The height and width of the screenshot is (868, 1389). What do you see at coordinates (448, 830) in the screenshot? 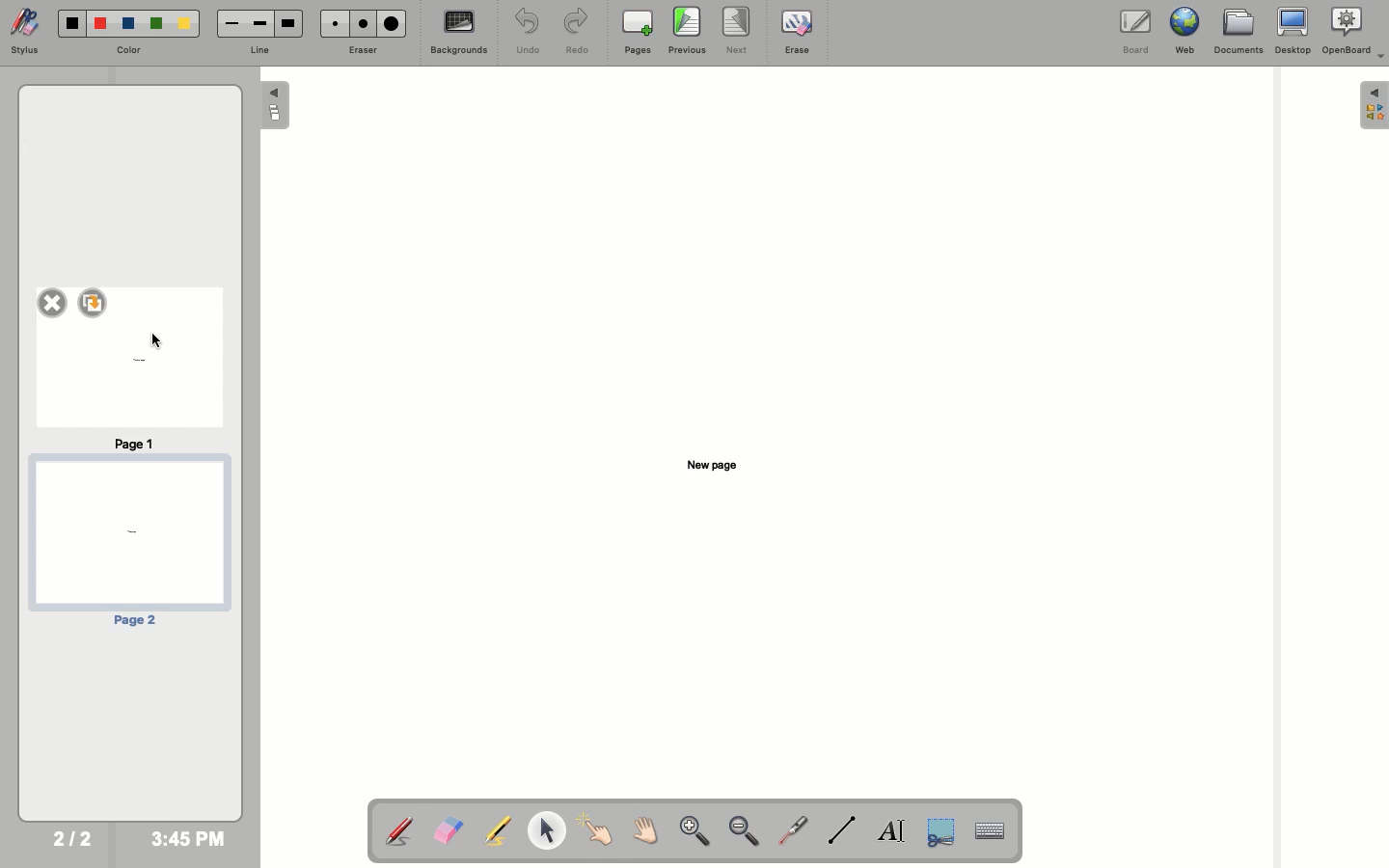
I see `Erase annotation` at bounding box center [448, 830].